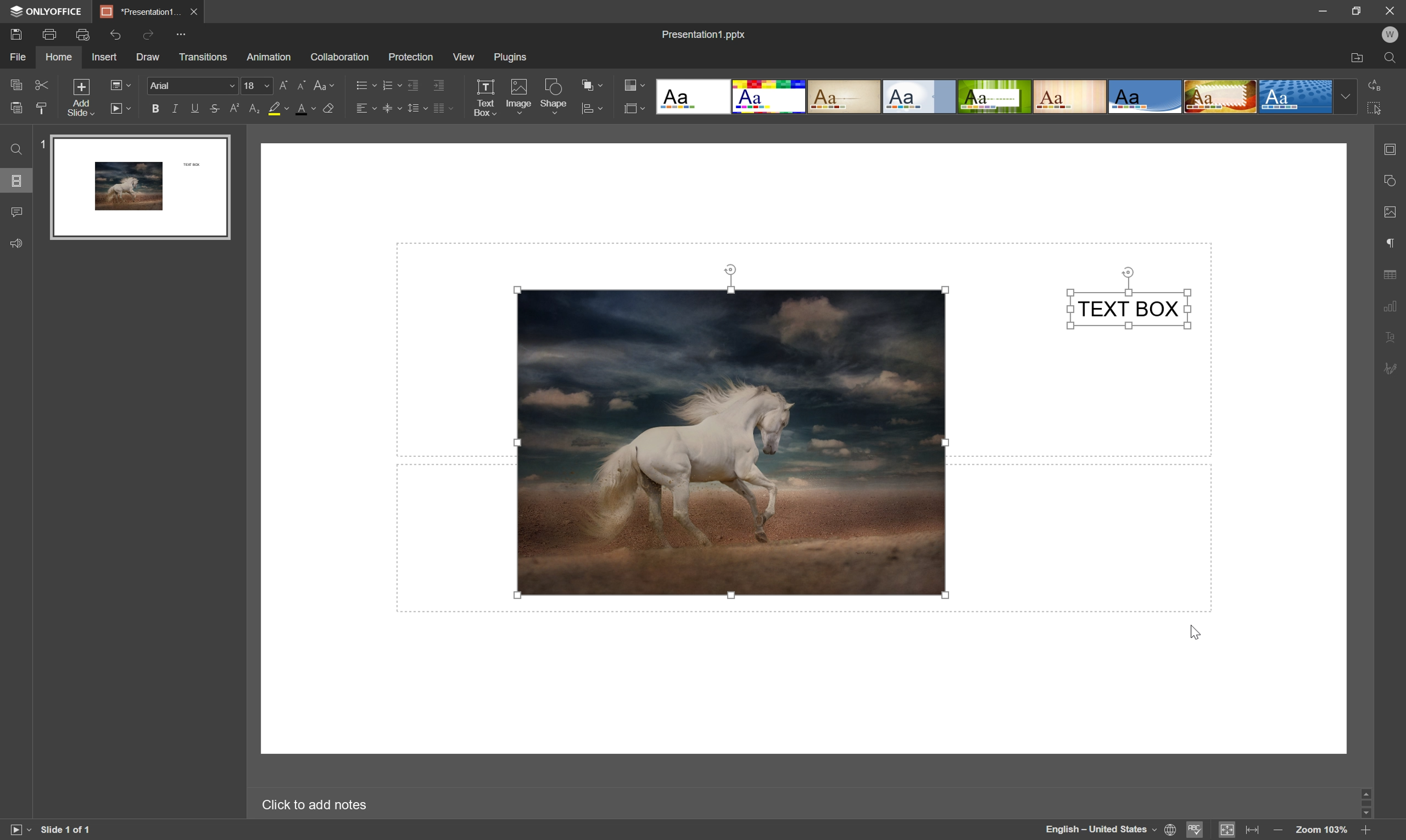  Describe the element at coordinates (511, 56) in the screenshot. I see `plugins` at that location.